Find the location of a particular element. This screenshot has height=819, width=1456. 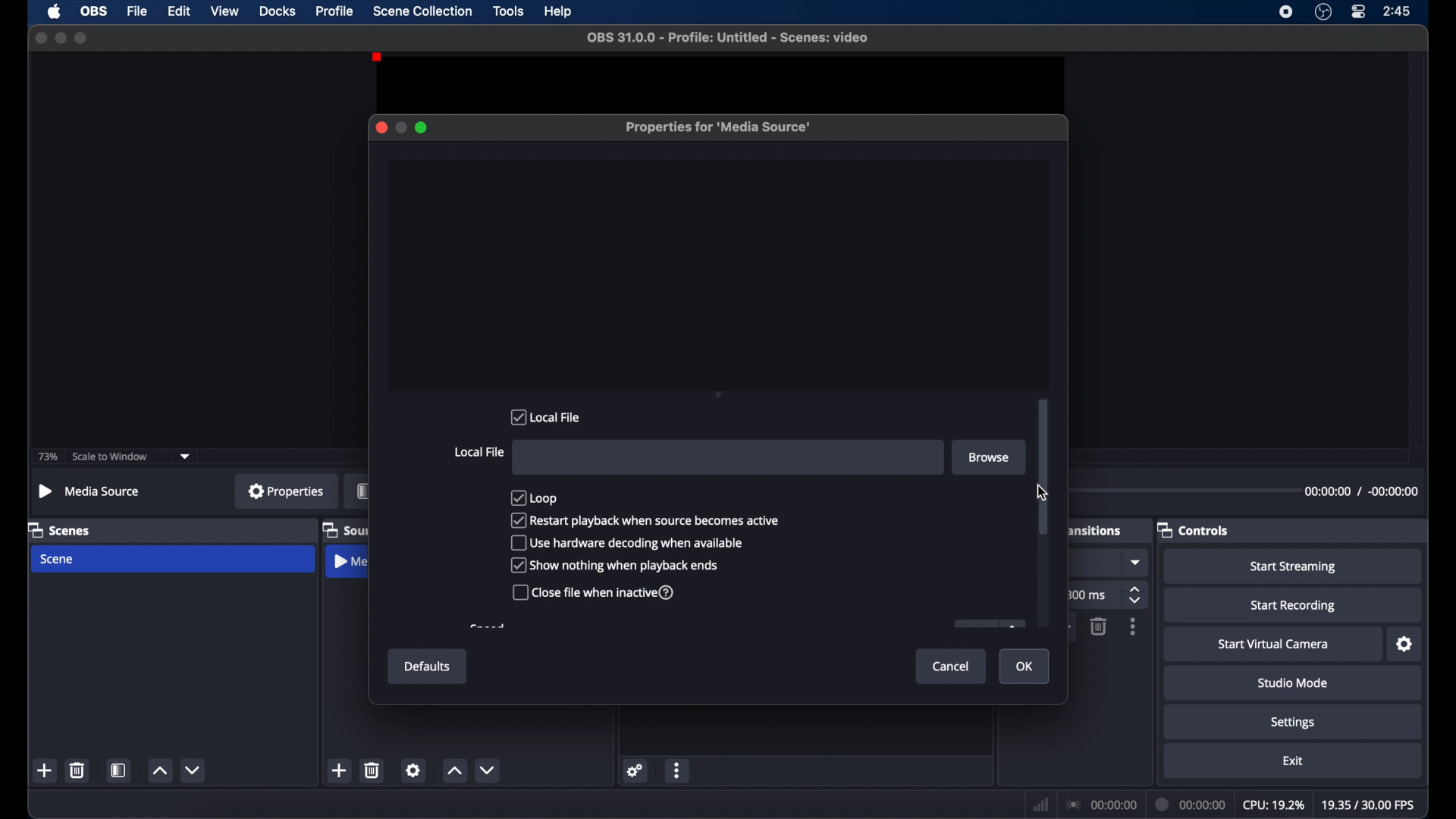

Cursor is located at coordinates (1034, 492).